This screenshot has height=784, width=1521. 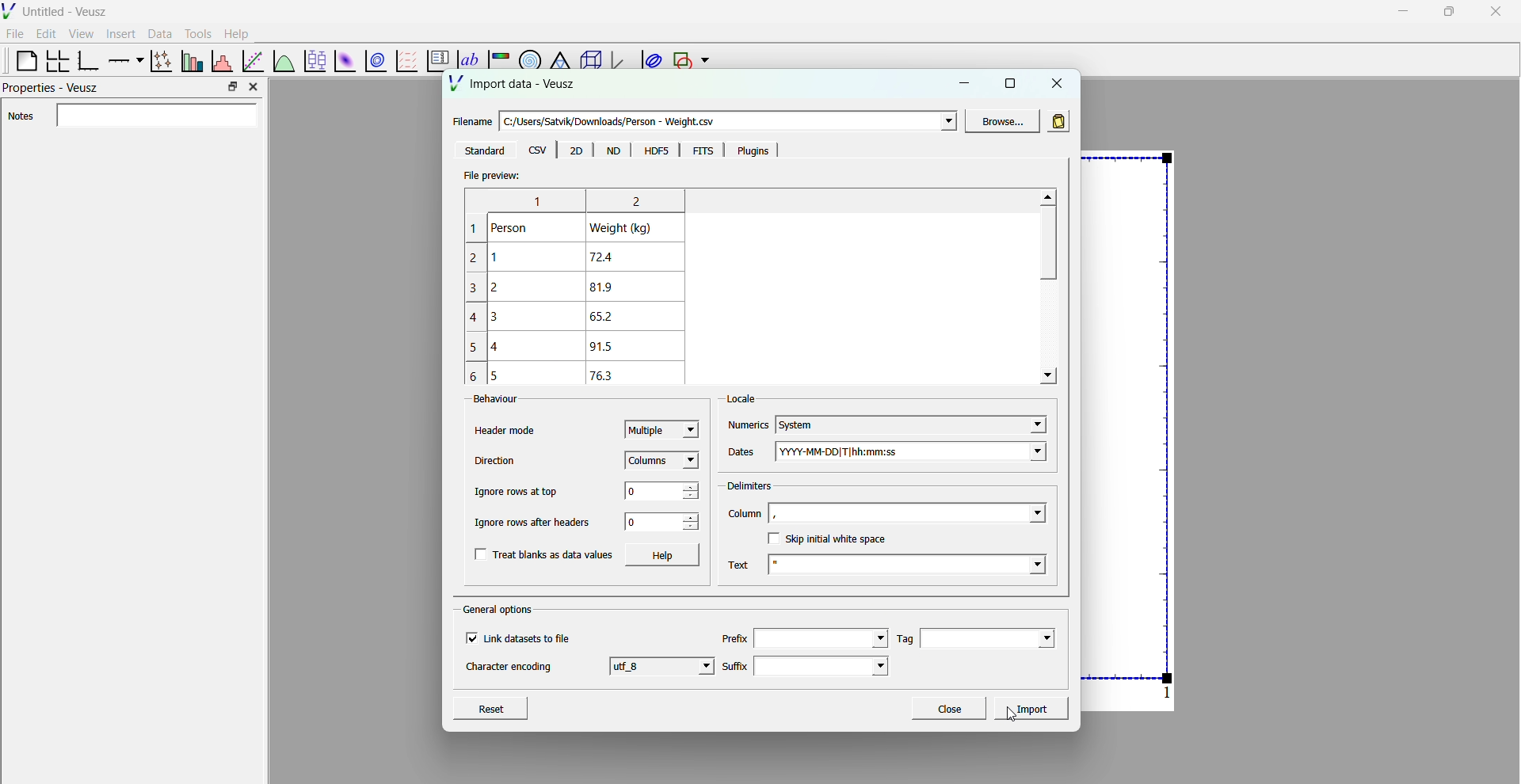 I want to click on Read in data from clipboard, so click(x=1061, y=119).